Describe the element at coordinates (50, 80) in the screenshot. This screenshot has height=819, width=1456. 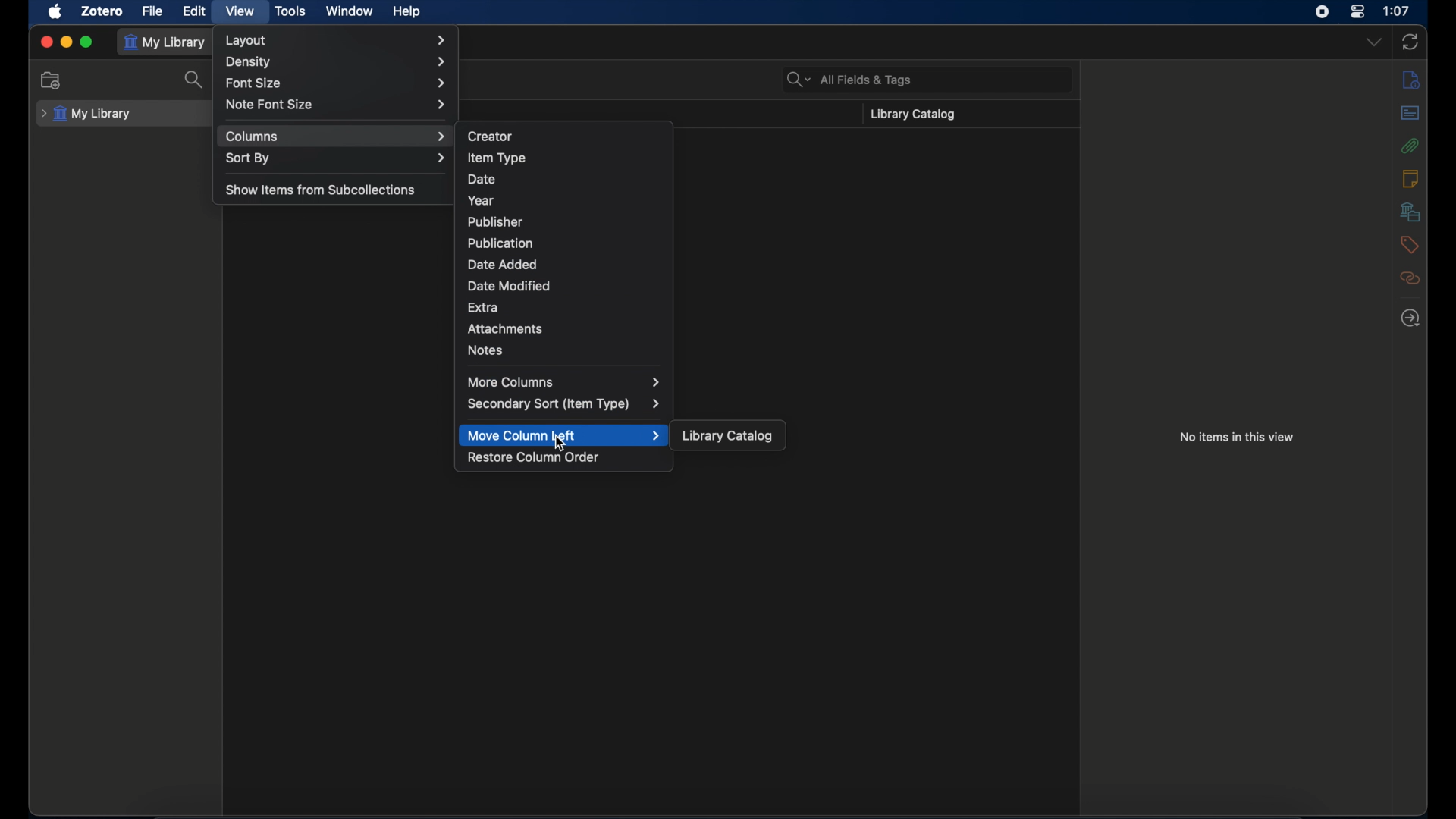
I see `new collection` at that location.